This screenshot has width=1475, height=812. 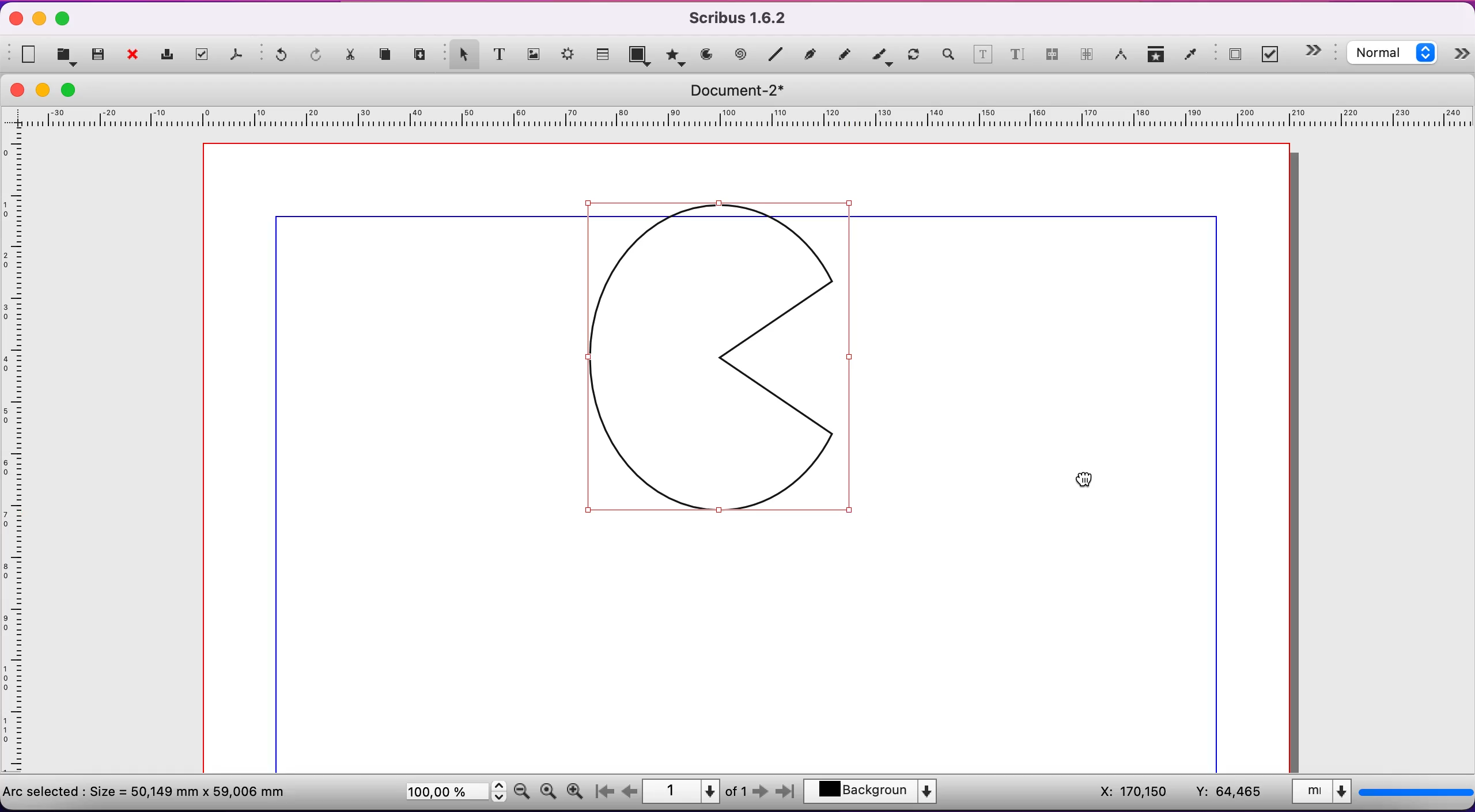 I want to click on minimize, so click(x=40, y=18).